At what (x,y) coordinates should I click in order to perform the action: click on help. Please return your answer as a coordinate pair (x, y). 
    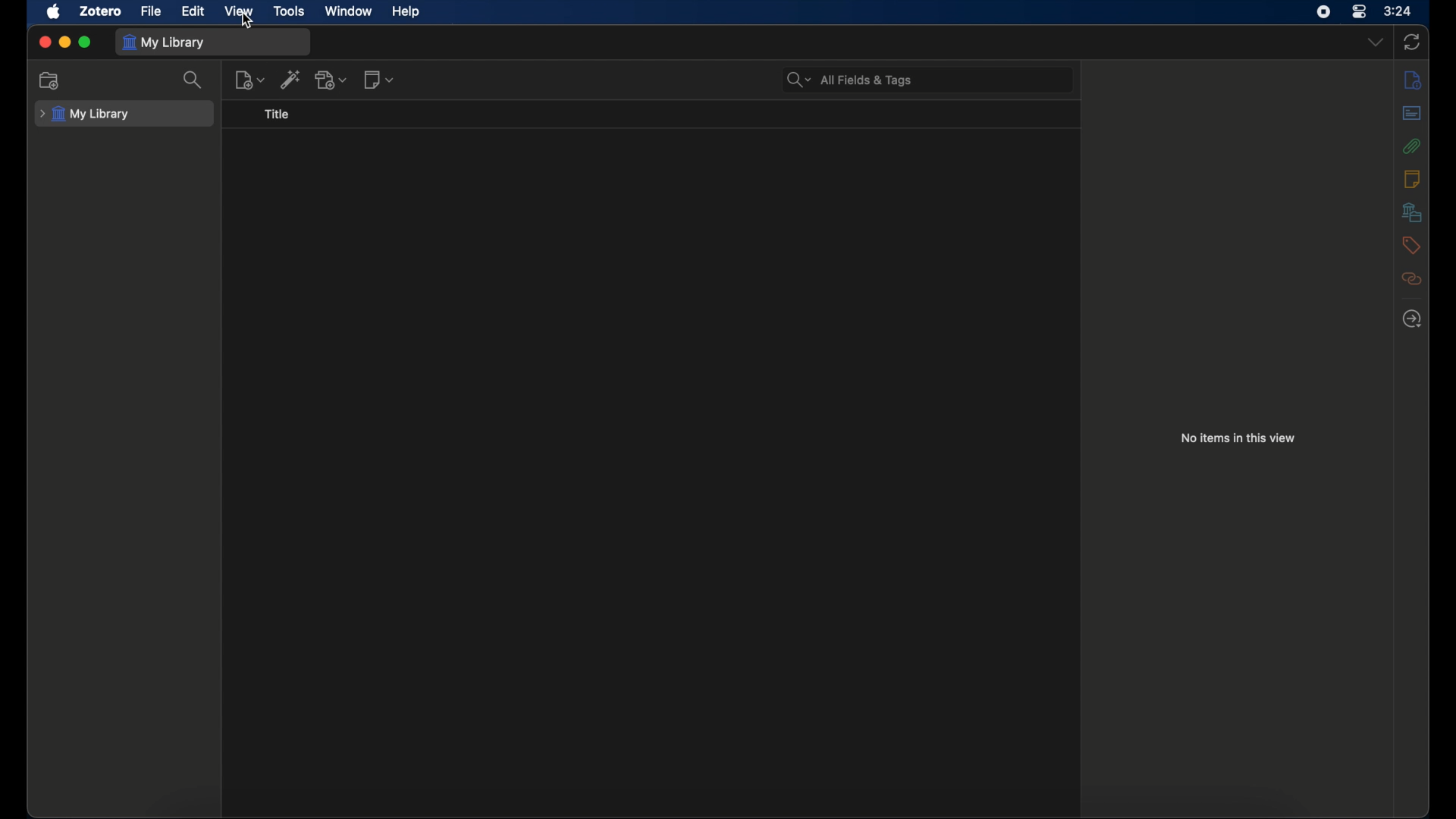
    Looking at the image, I should click on (405, 12).